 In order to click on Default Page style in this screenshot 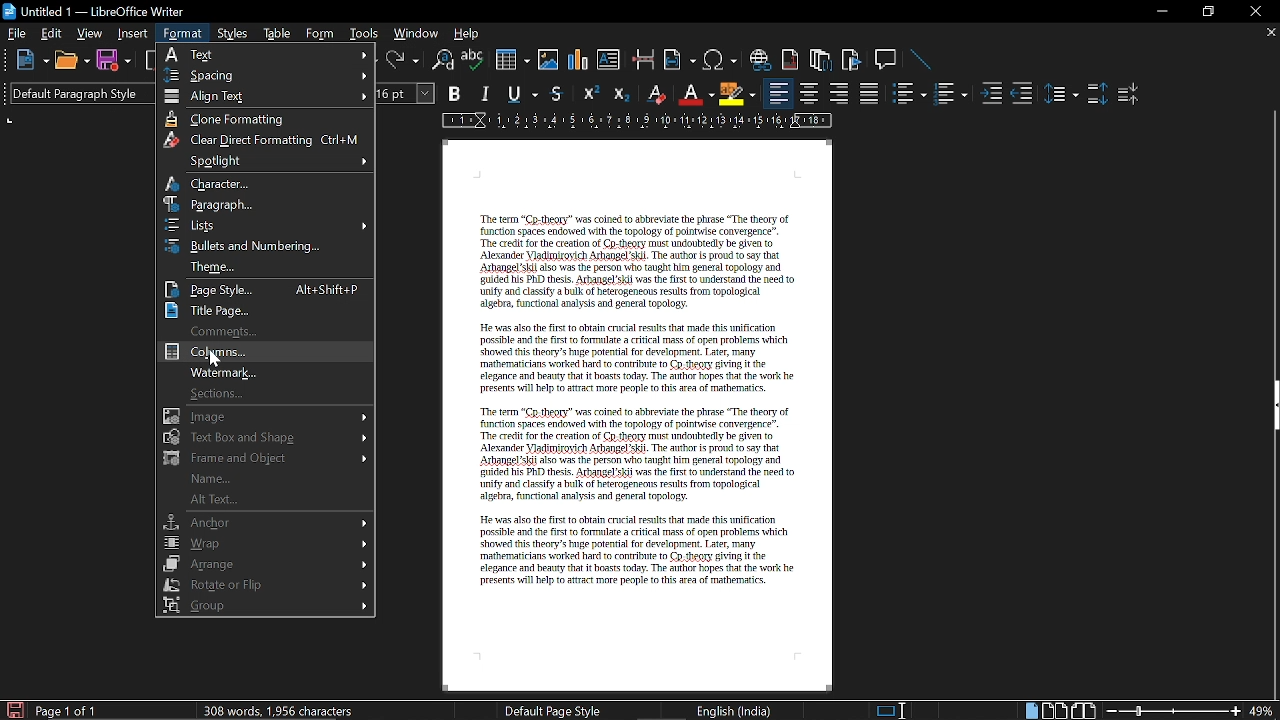, I will do `click(554, 711)`.